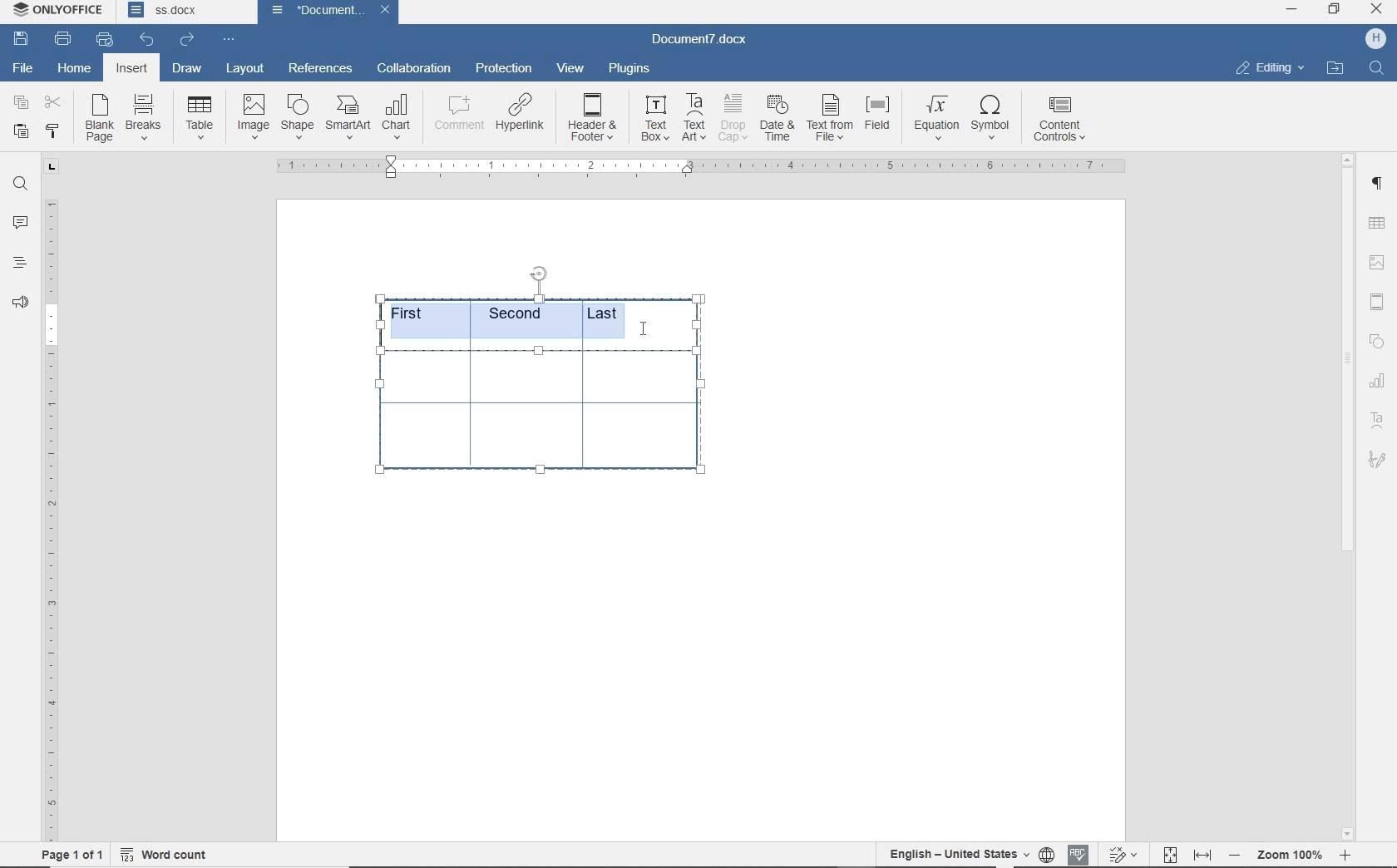  What do you see at coordinates (503, 69) in the screenshot?
I see `protection` at bounding box center [503, 69].